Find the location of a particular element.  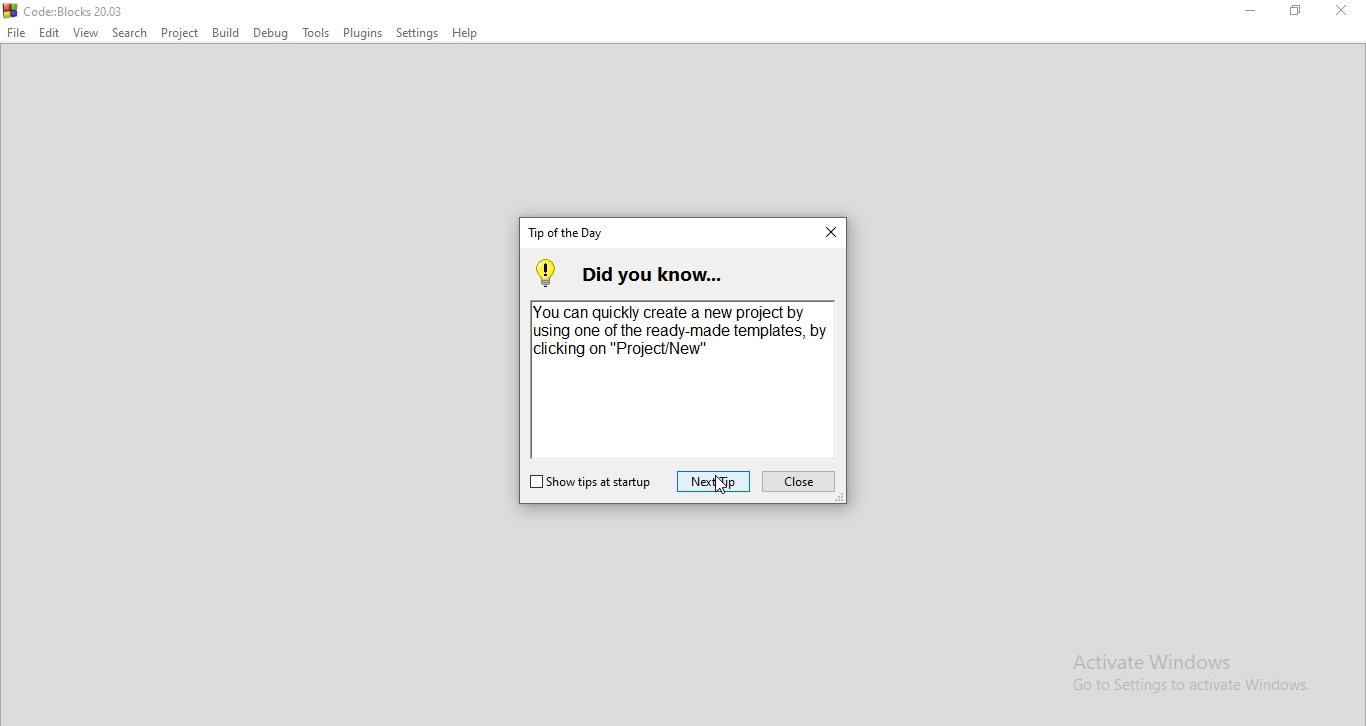

close is located at coordinates (830, 234).